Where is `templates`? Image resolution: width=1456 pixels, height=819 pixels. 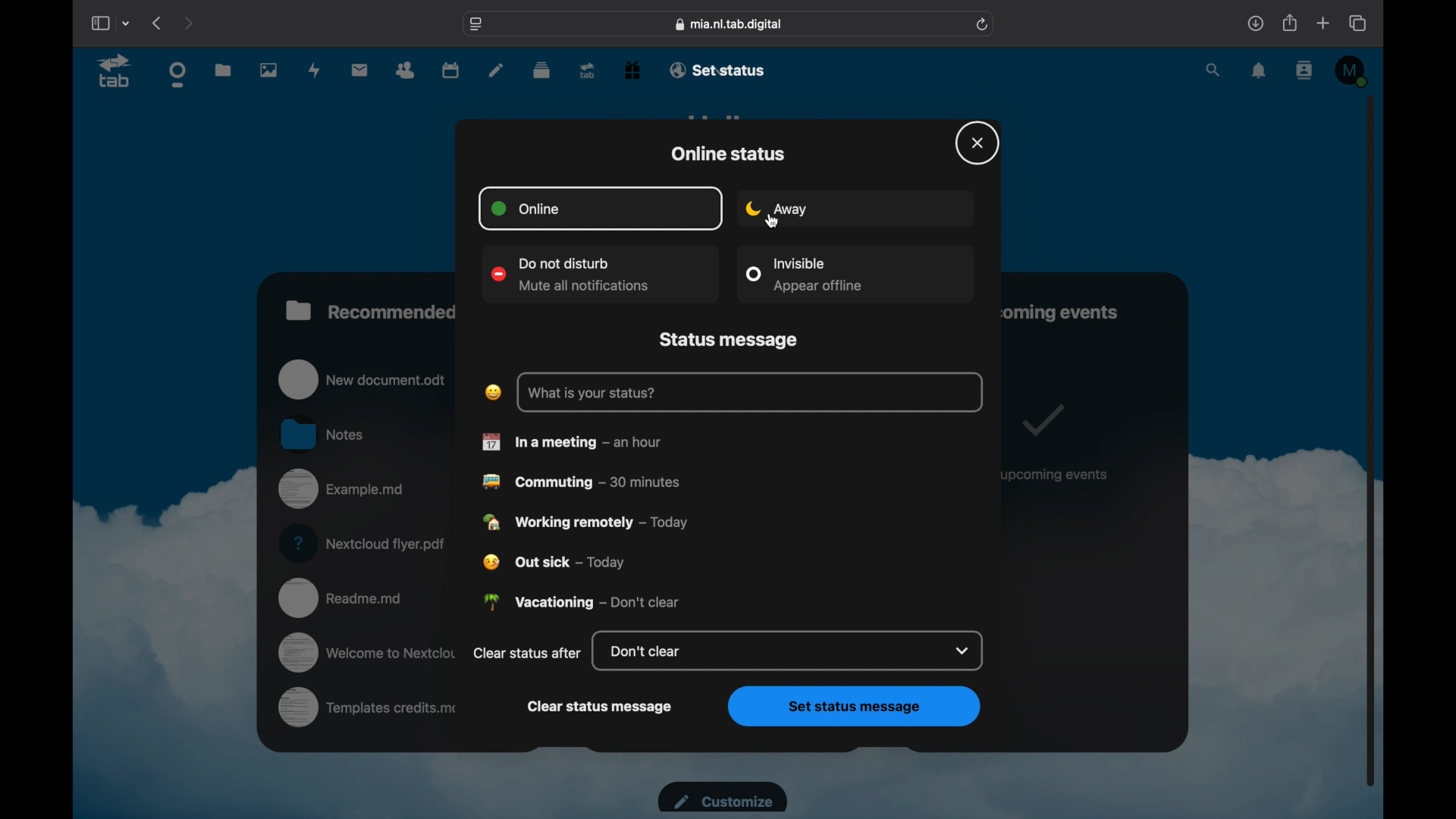 templates is located at coordinates (370, 708).